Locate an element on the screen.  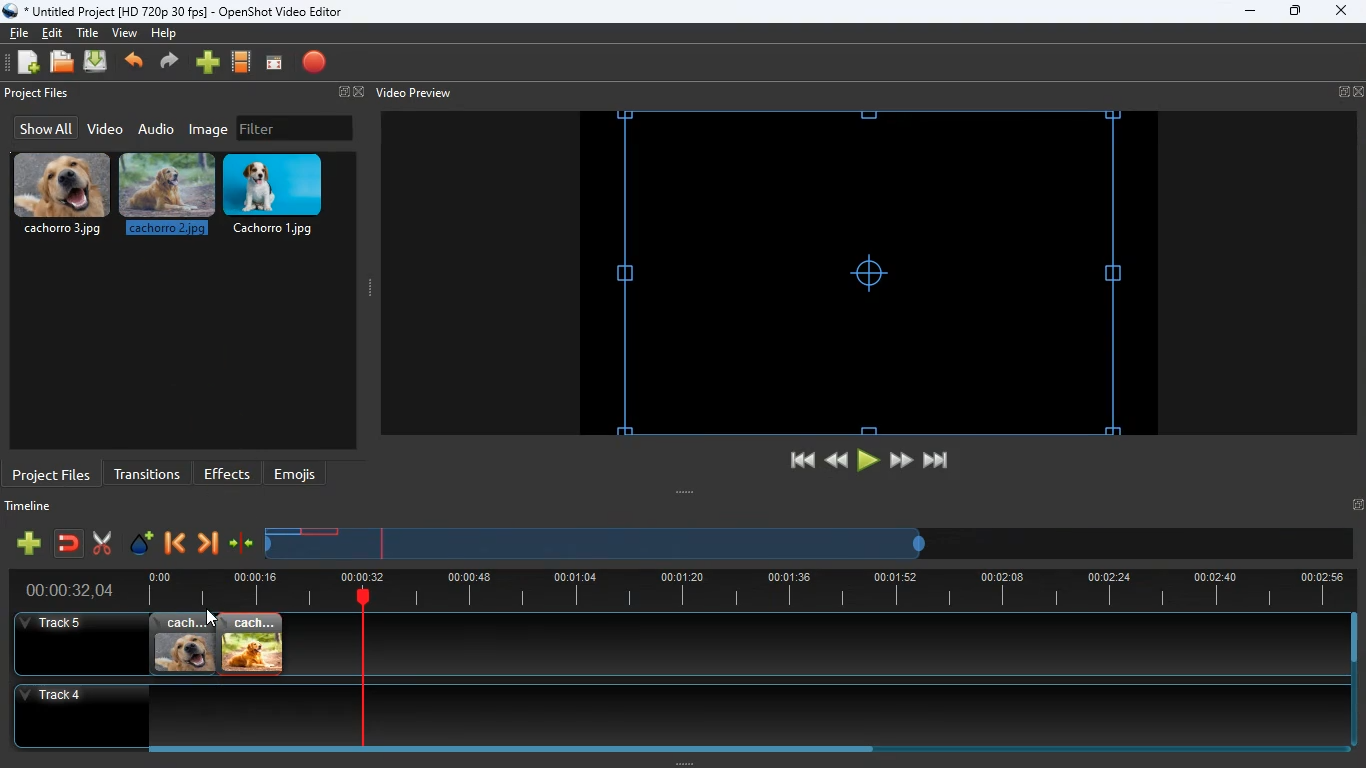
effect is located at coordinates (142, 545).